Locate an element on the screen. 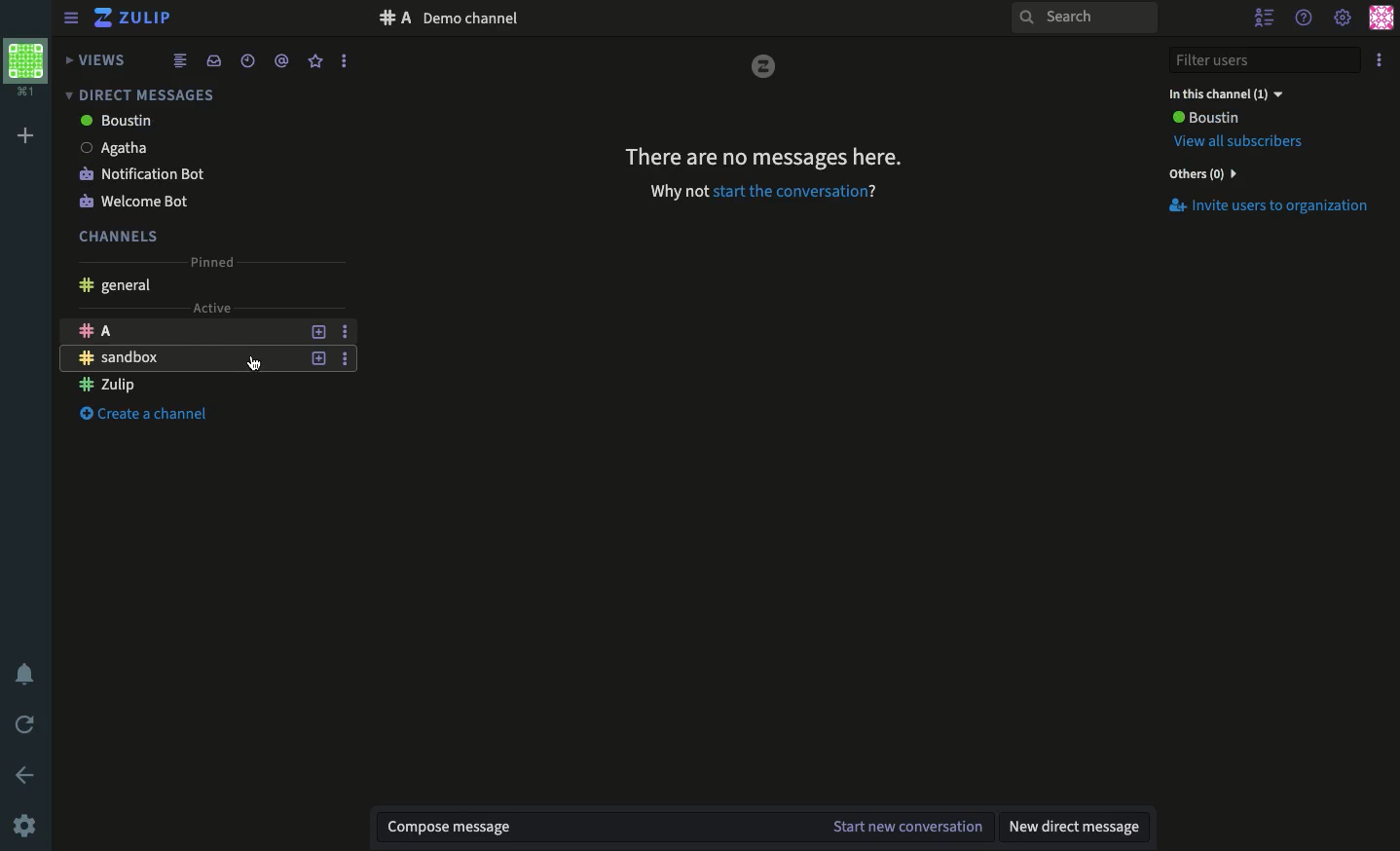  Channel Zulip  is located at coordinates (182, 387).